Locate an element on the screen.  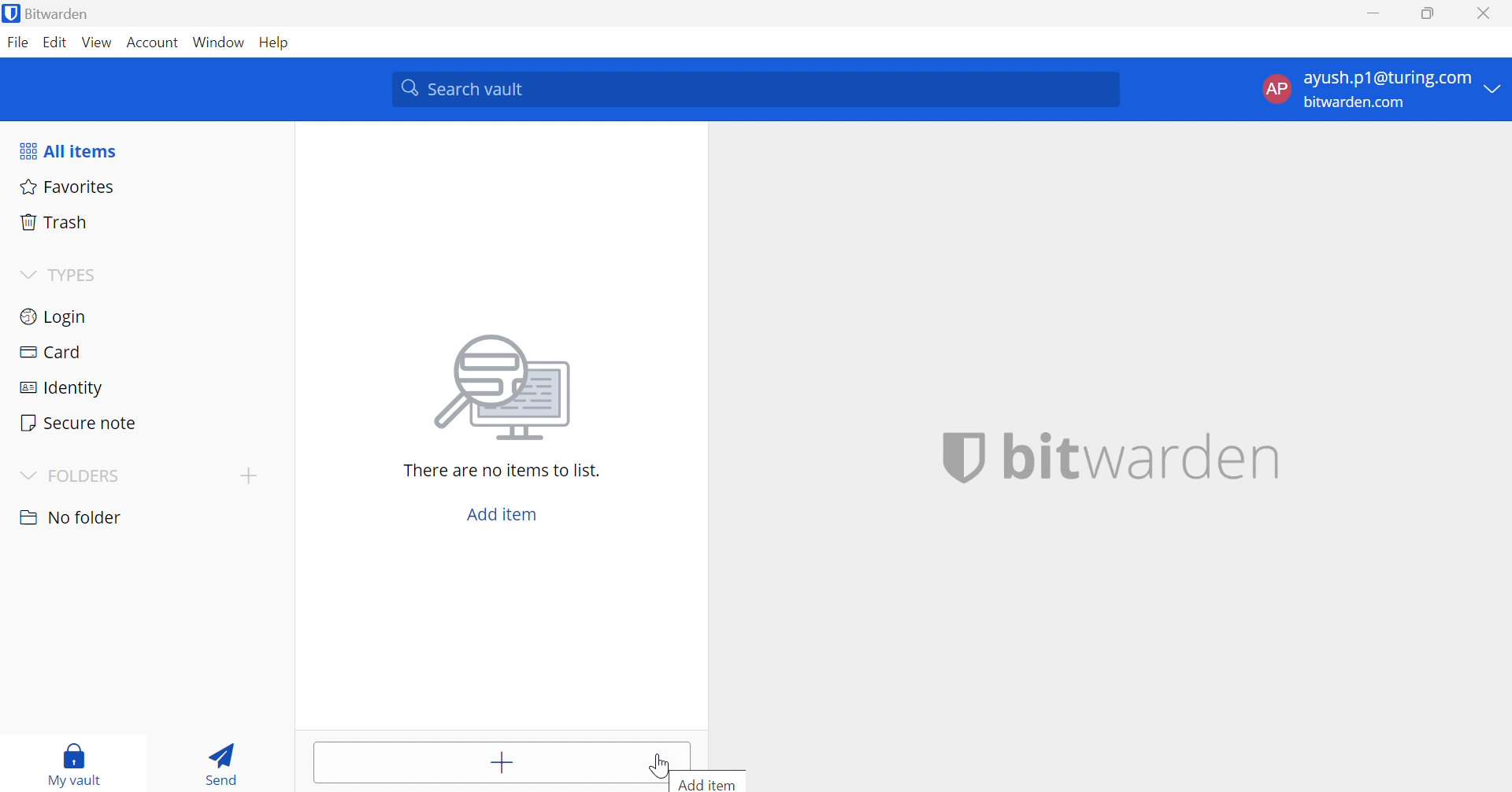
My vault is located at coordinates (76, 764).